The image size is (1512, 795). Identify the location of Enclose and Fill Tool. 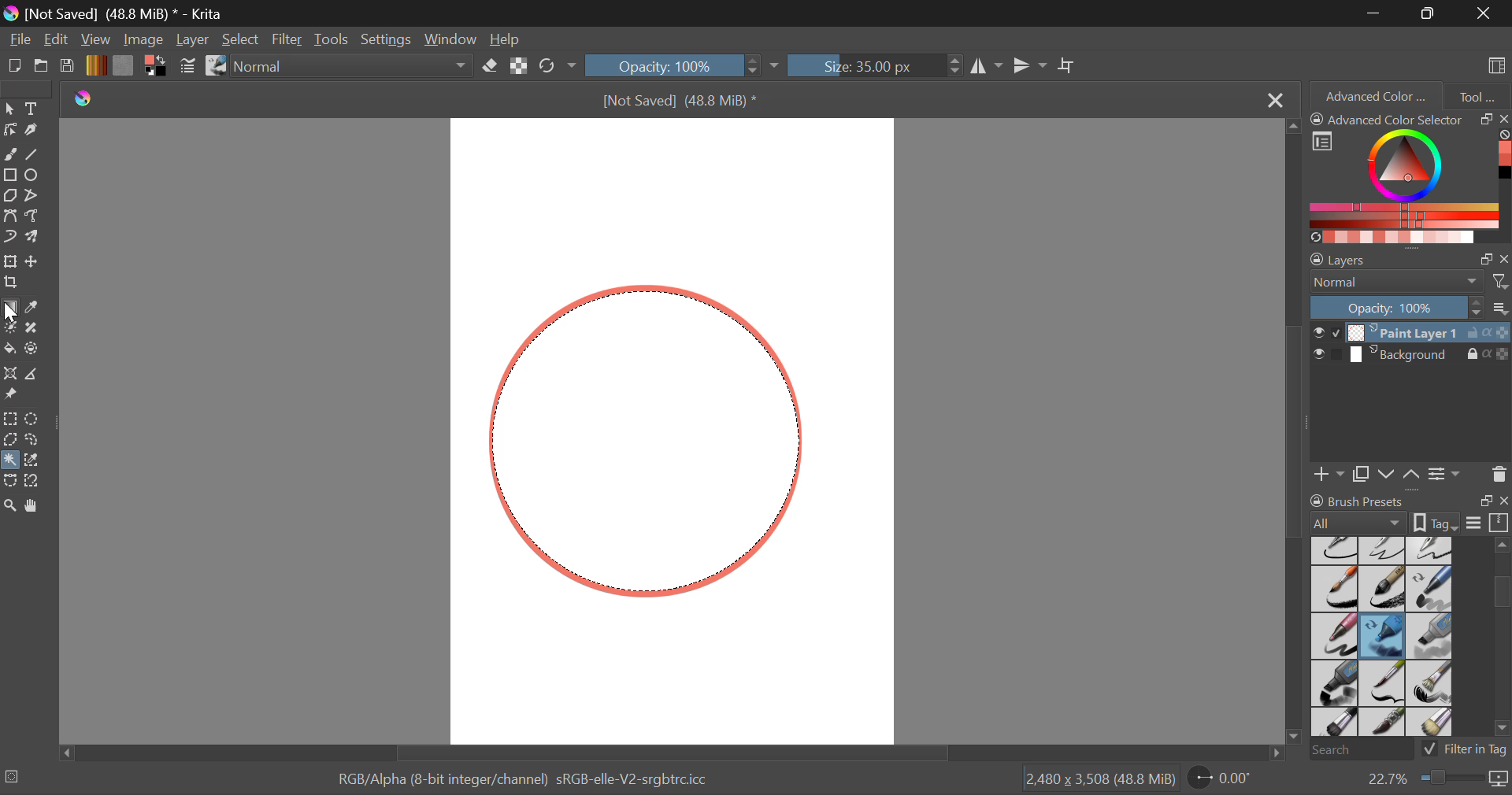
(33, 349).